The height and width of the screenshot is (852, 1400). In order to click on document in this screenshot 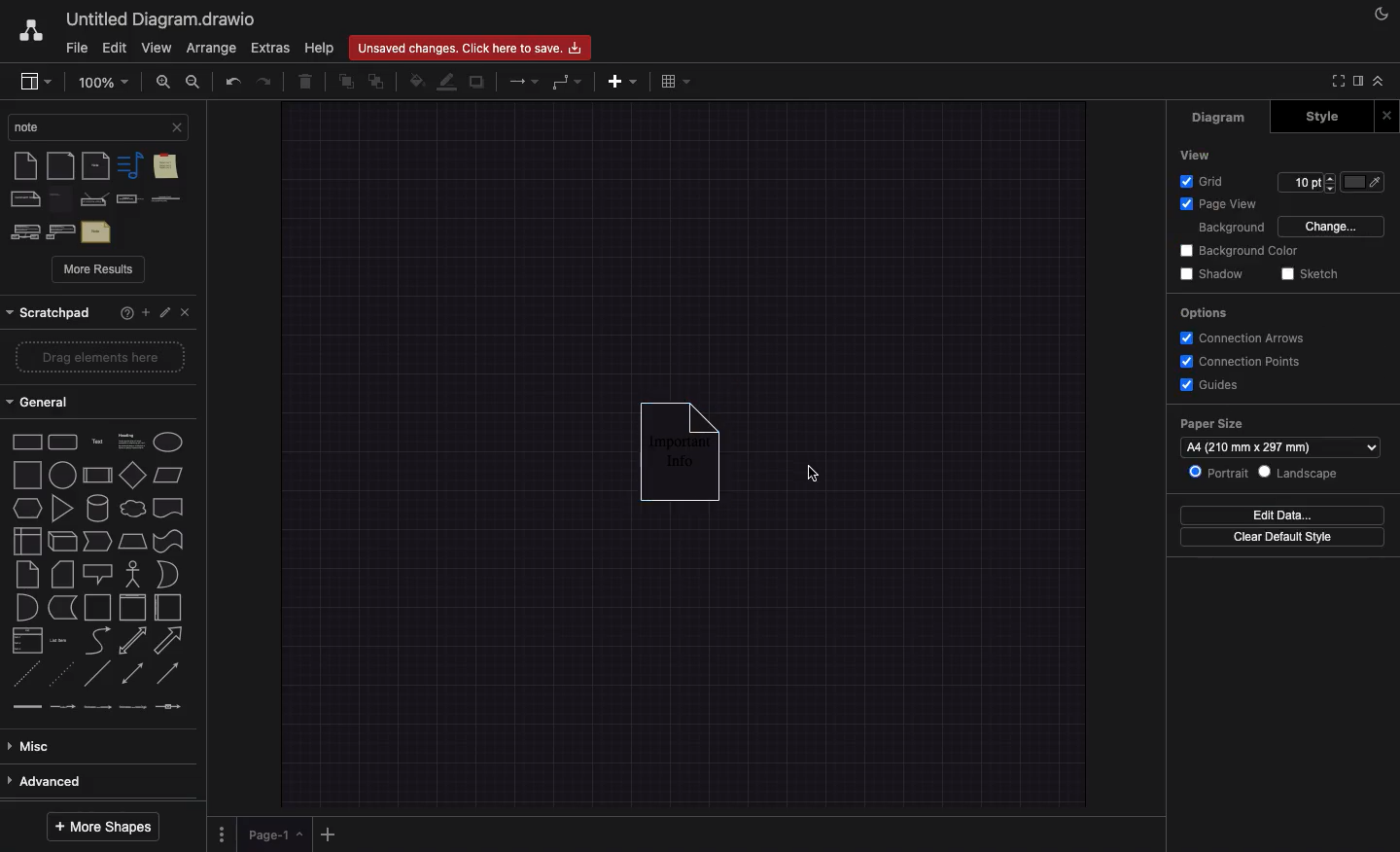, I will do `click(61, 166)`.